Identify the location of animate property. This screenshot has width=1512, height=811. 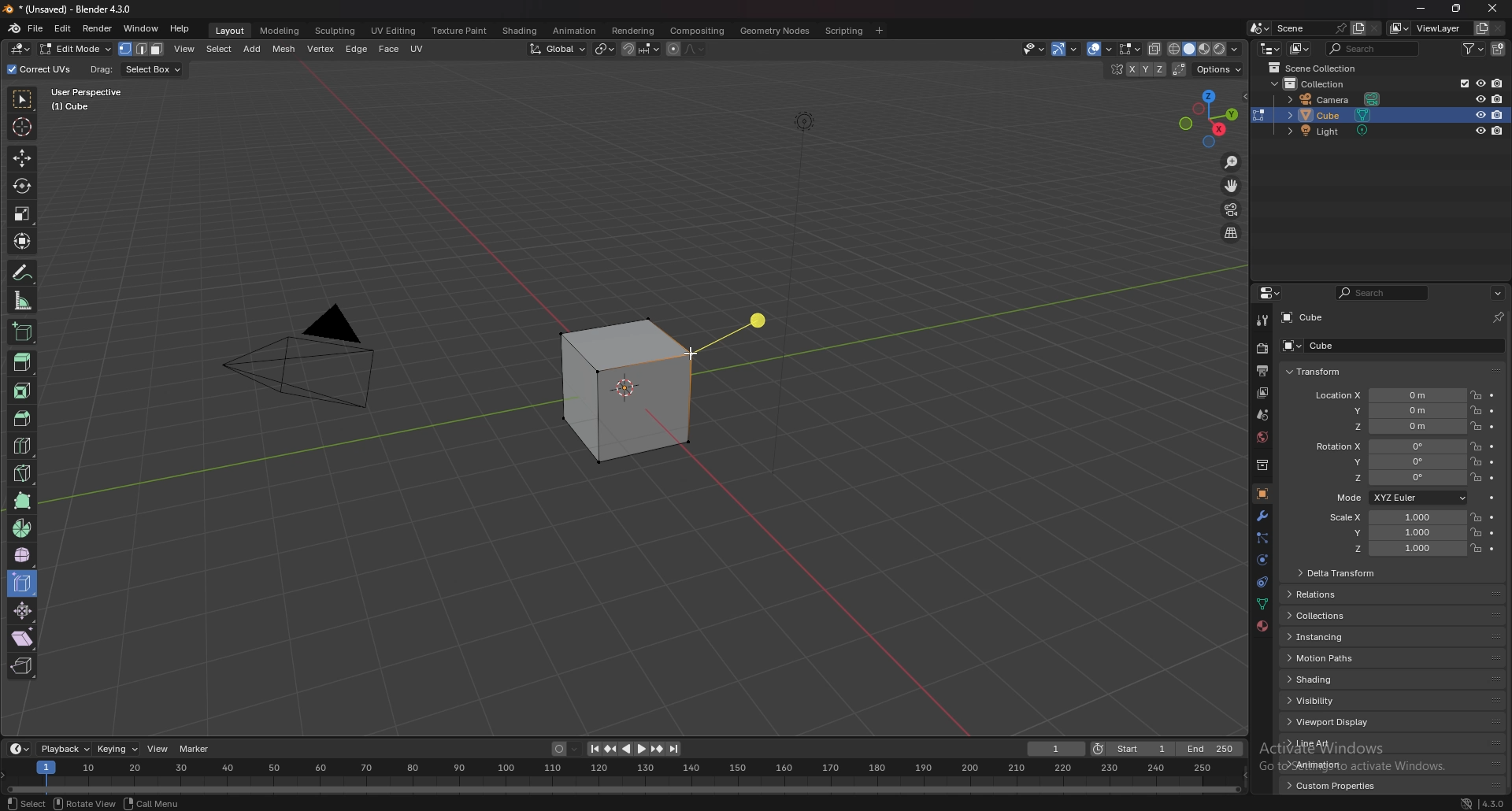
(1493, 447).